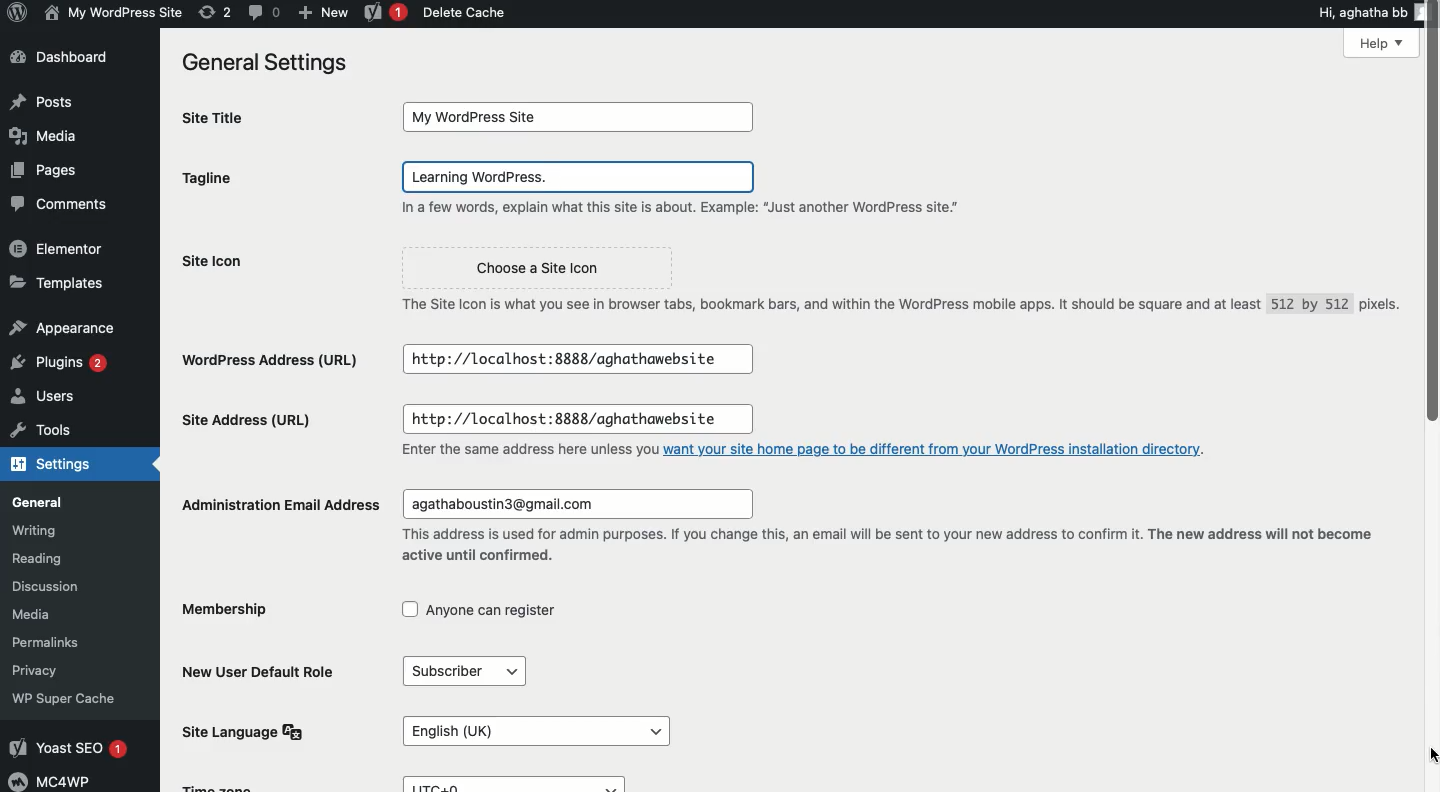 This screenshot has width=1440, height=792. Describe the element at coordinates (62, 246) in the screenshot. I see `Elementor` at that location.